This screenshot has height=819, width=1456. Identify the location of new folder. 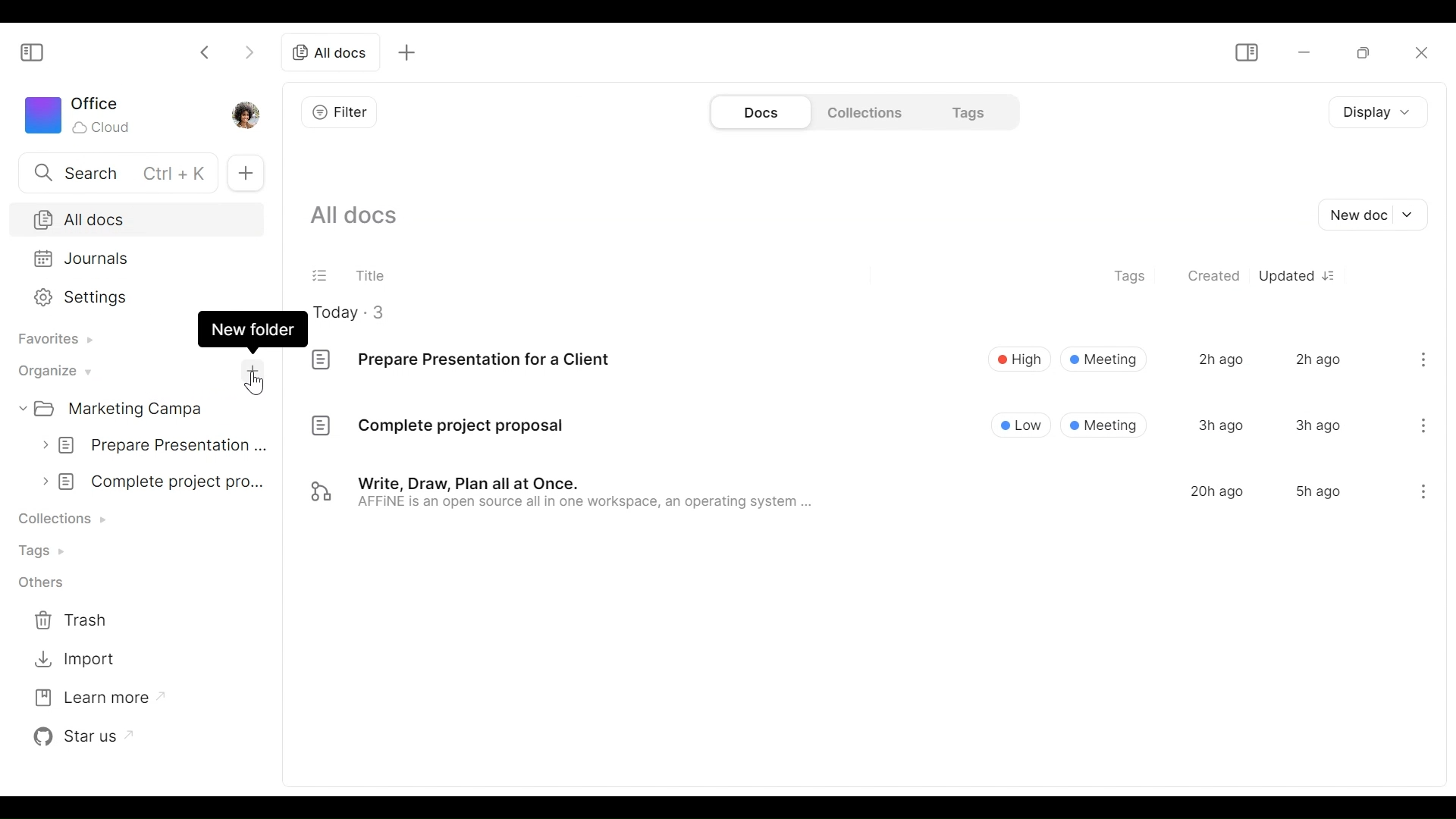
(253, 329).